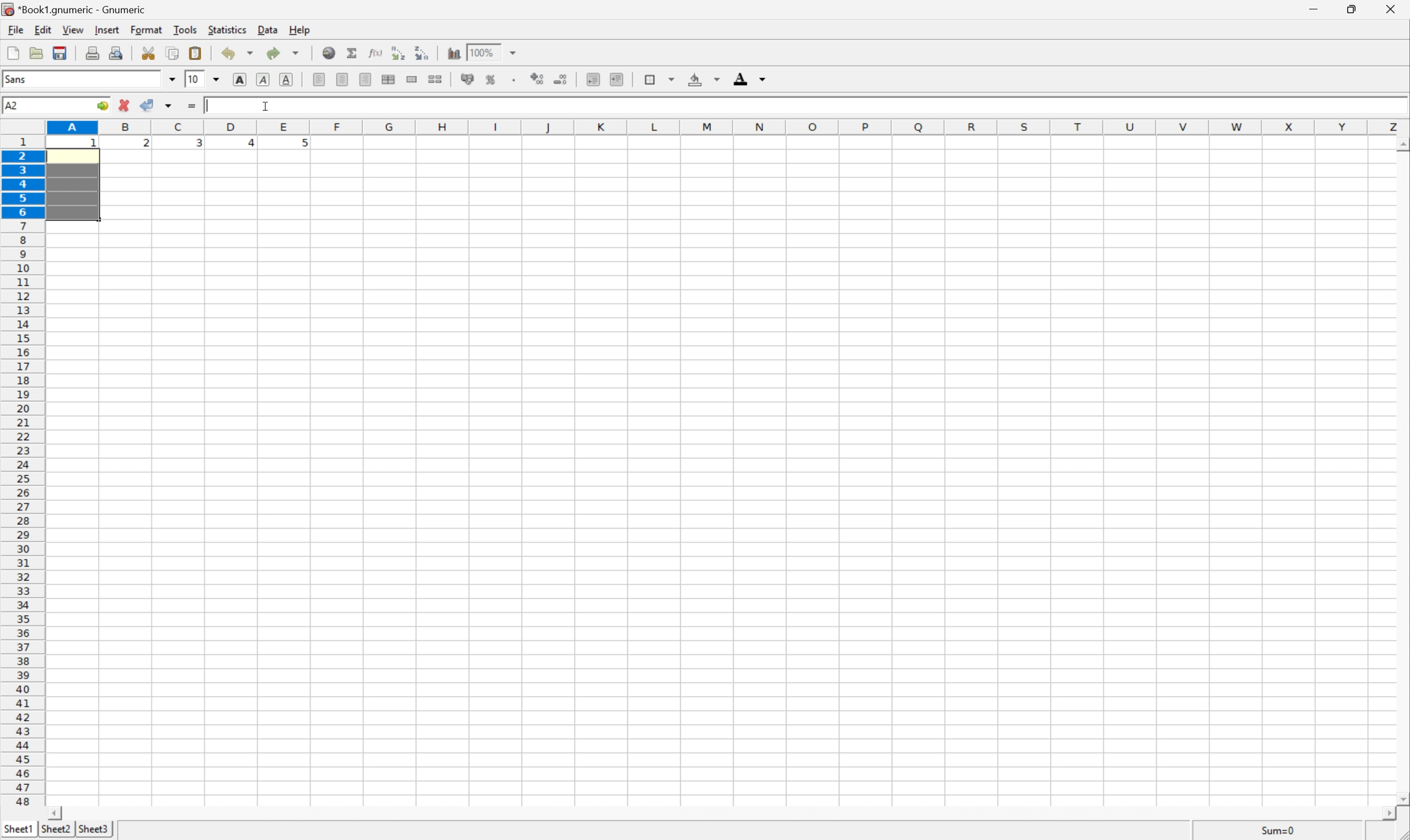 This screenshot has height=840, width=1410. I want to click on insert chart, so click(454, 53).